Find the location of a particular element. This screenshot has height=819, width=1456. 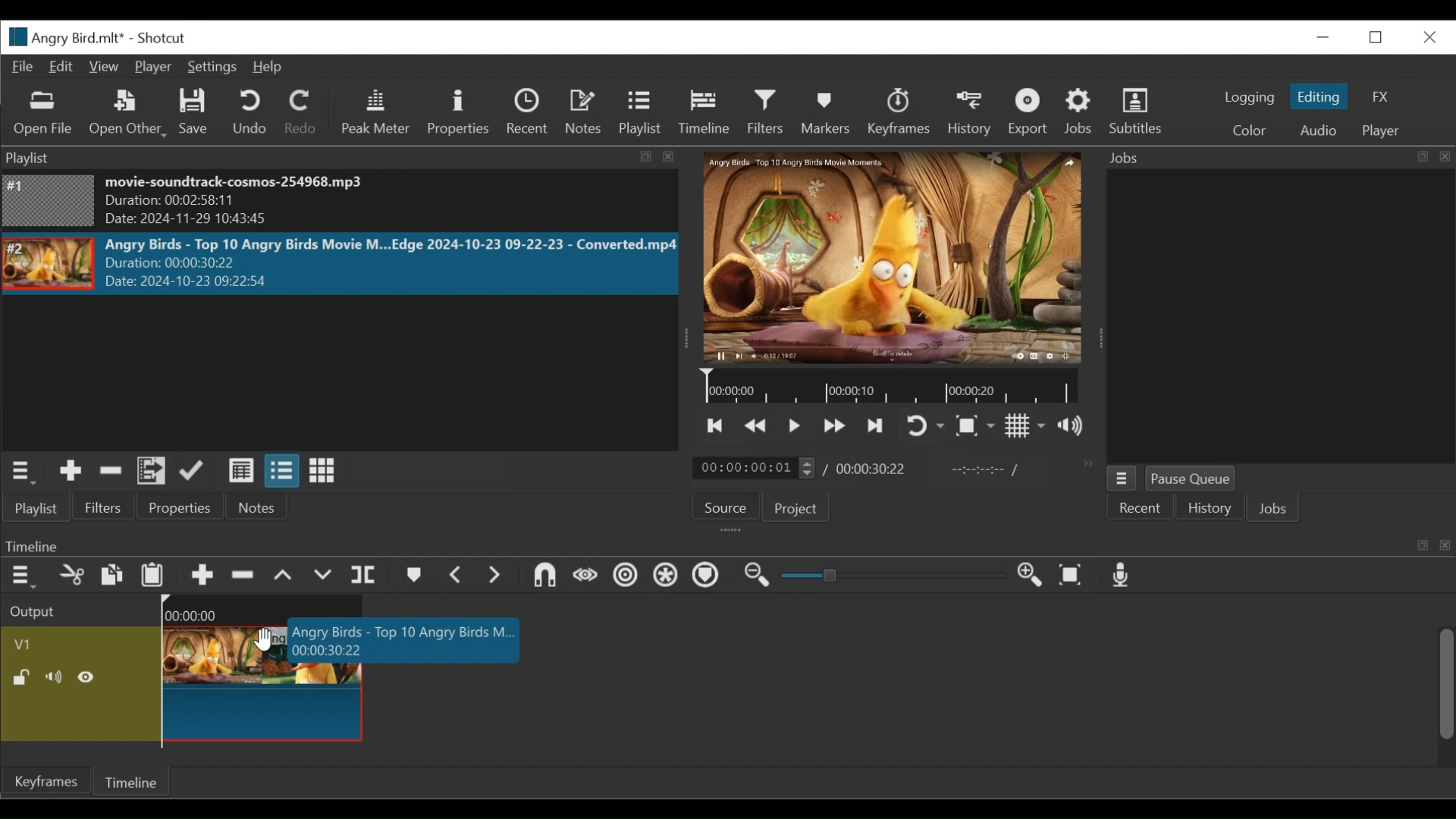

Player is located at coordinates (1382, 132).